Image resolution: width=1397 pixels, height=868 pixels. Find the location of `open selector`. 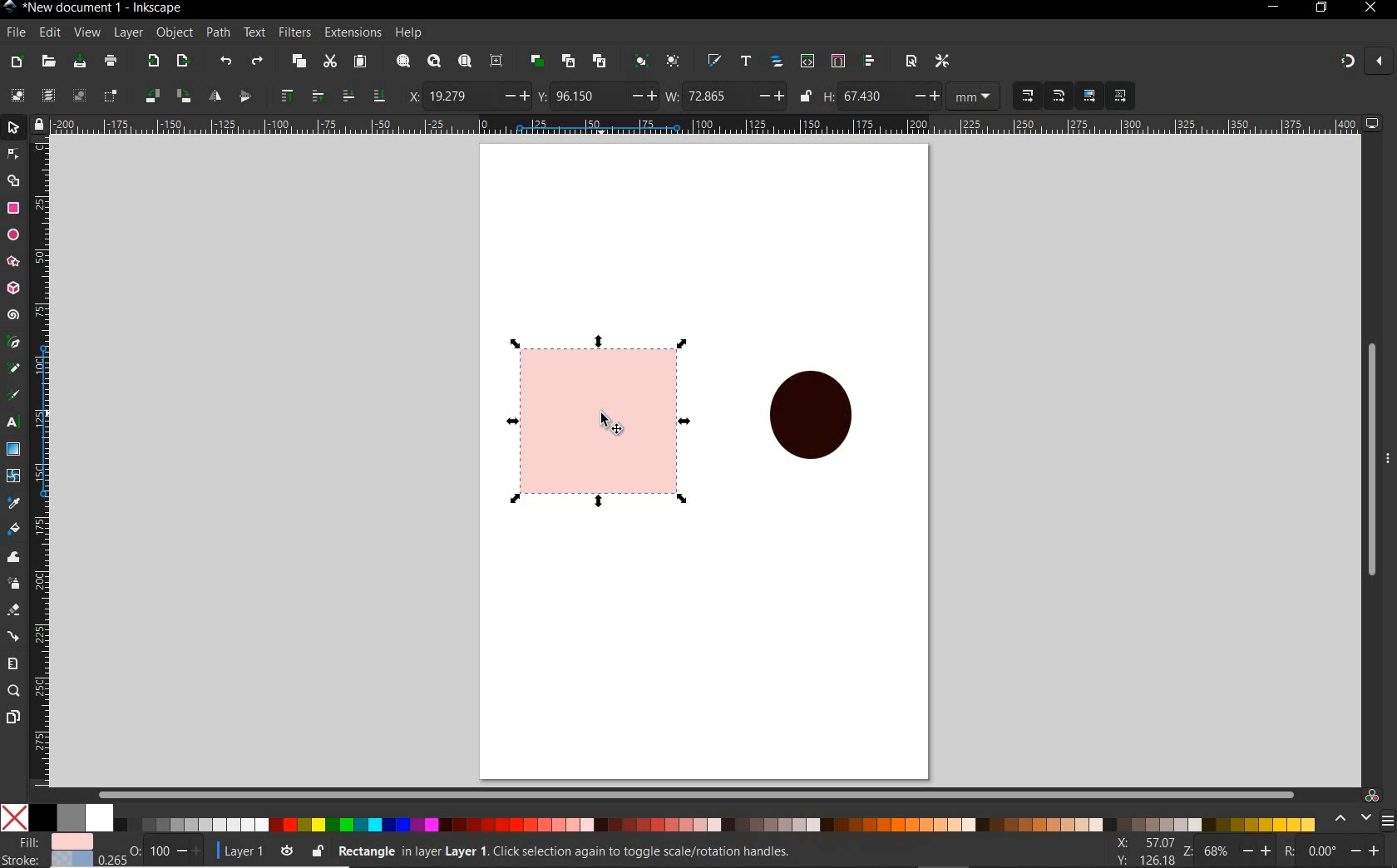

open selector is located at coordinates (837, 61).